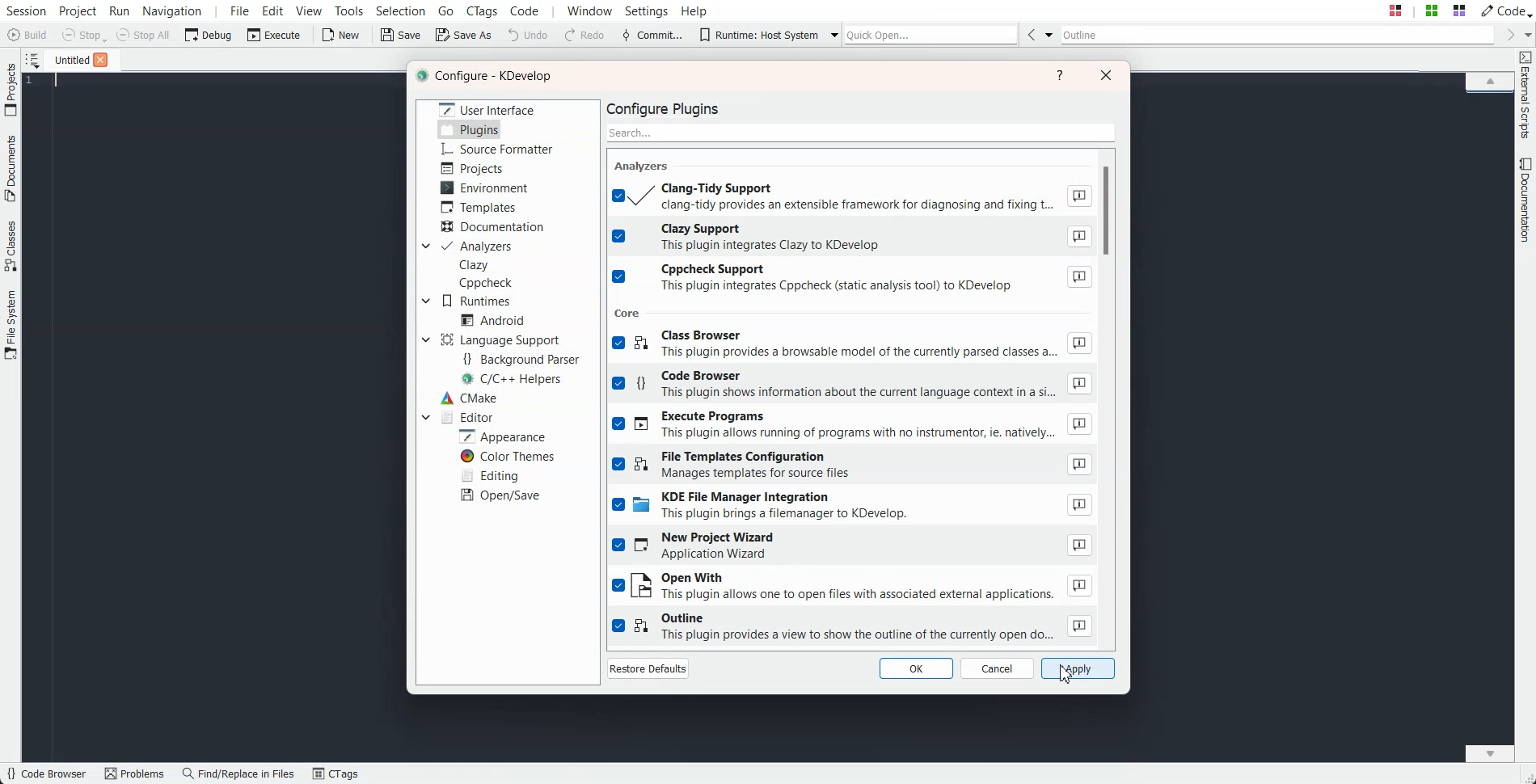 This screenshot has width=1536, height=784. Describe the element at coordinates (402, 35) in the screenshot. I see `Save` at that location.